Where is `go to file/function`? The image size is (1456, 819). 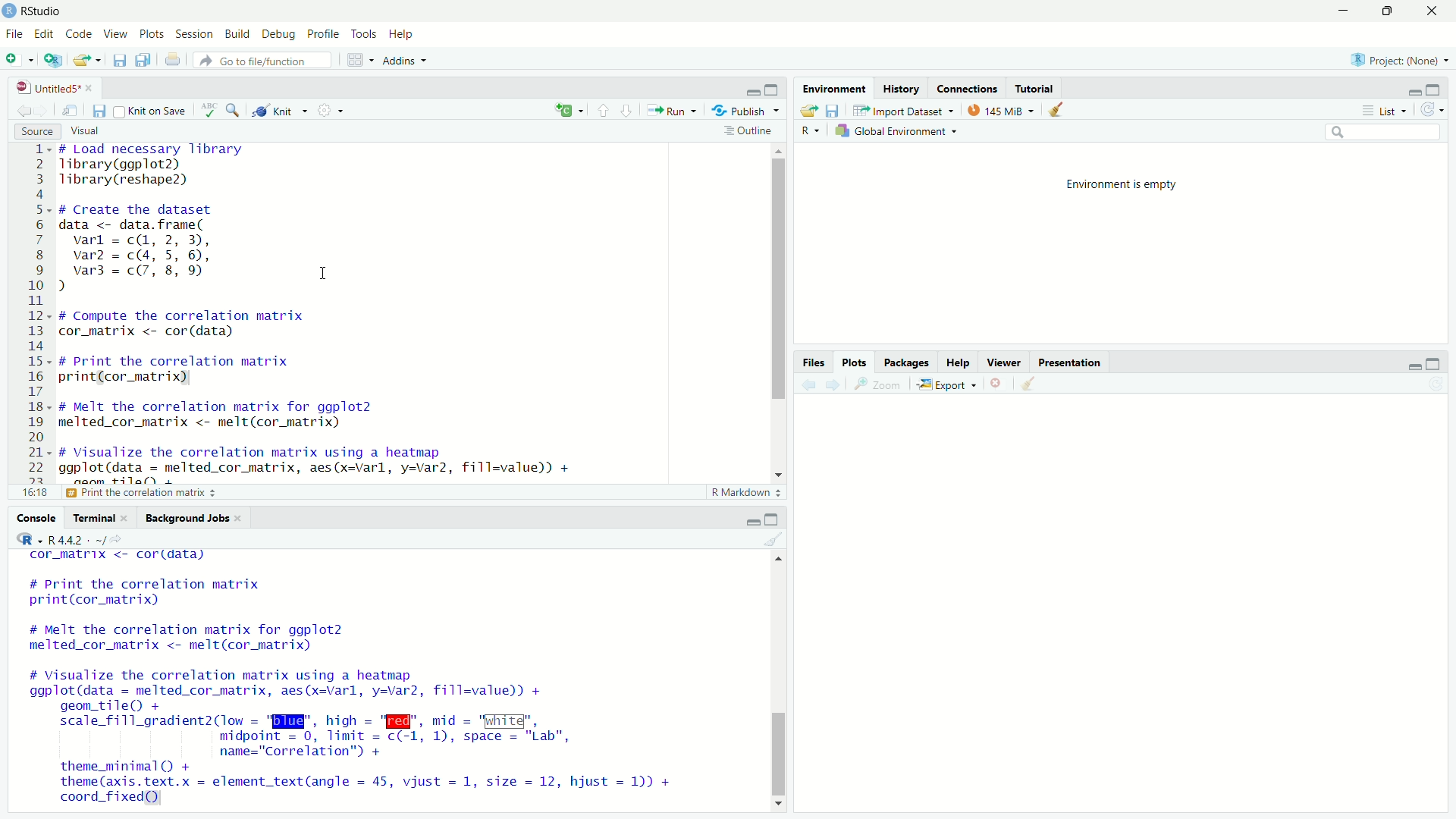 go to file/function is located at coordinates (264, 60).